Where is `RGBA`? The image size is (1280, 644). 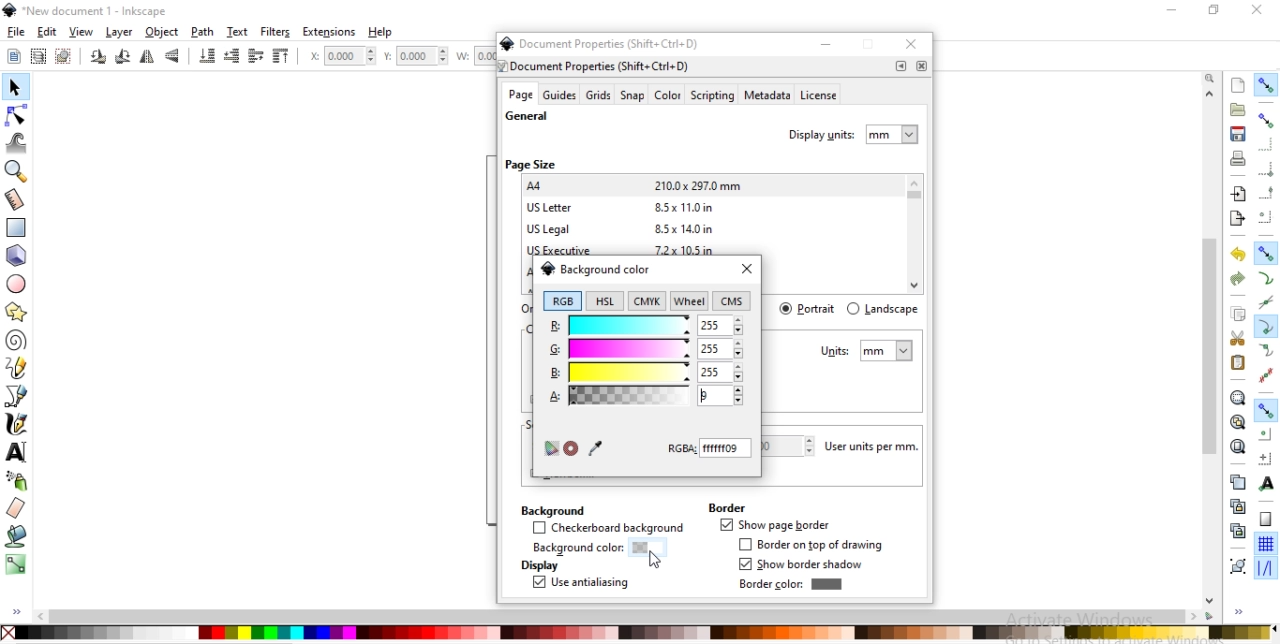
RGBA is located at coordinates (710, 448).